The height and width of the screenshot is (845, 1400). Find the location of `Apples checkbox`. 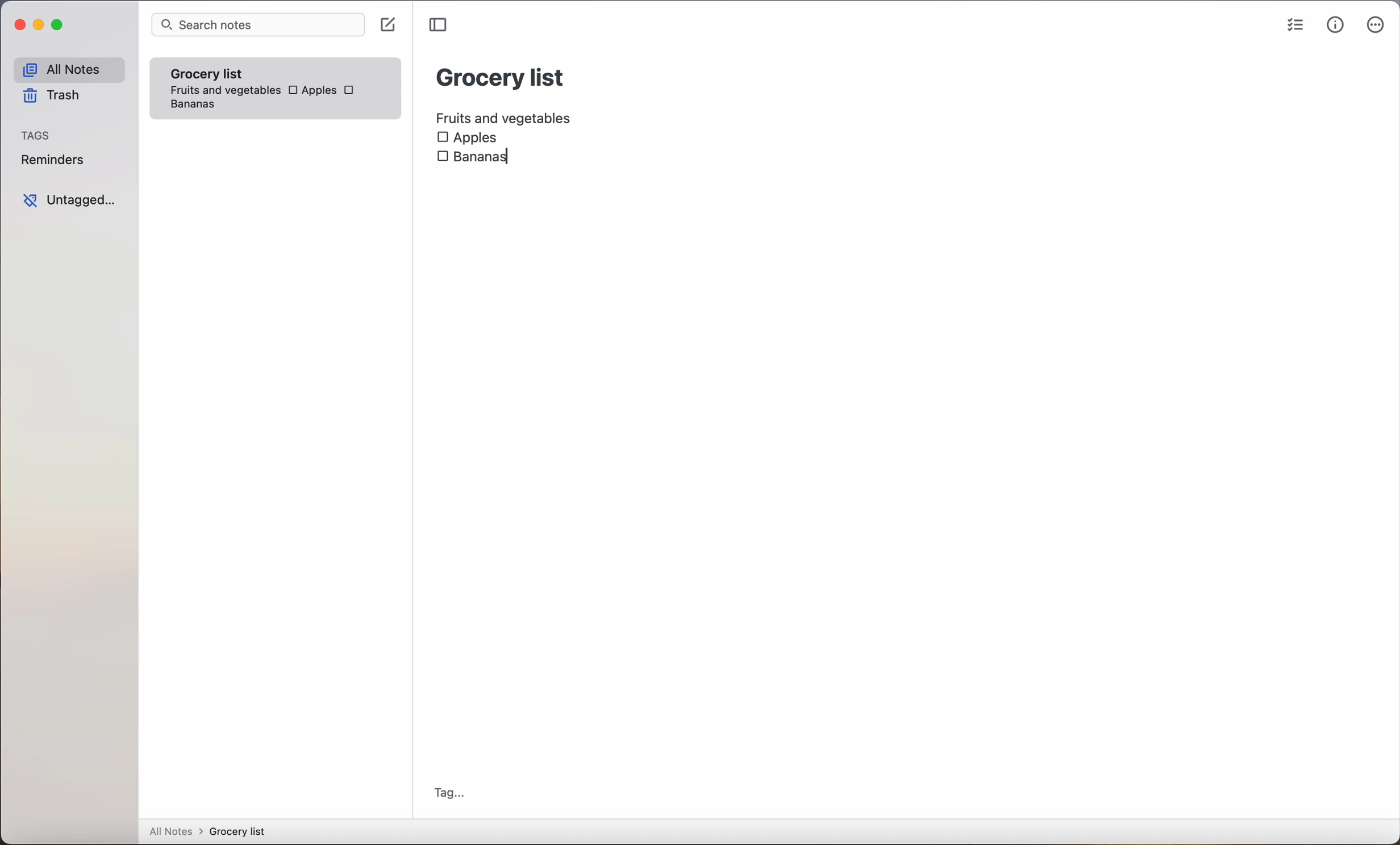

Apples checkbox is located at coordinates (311, 90).